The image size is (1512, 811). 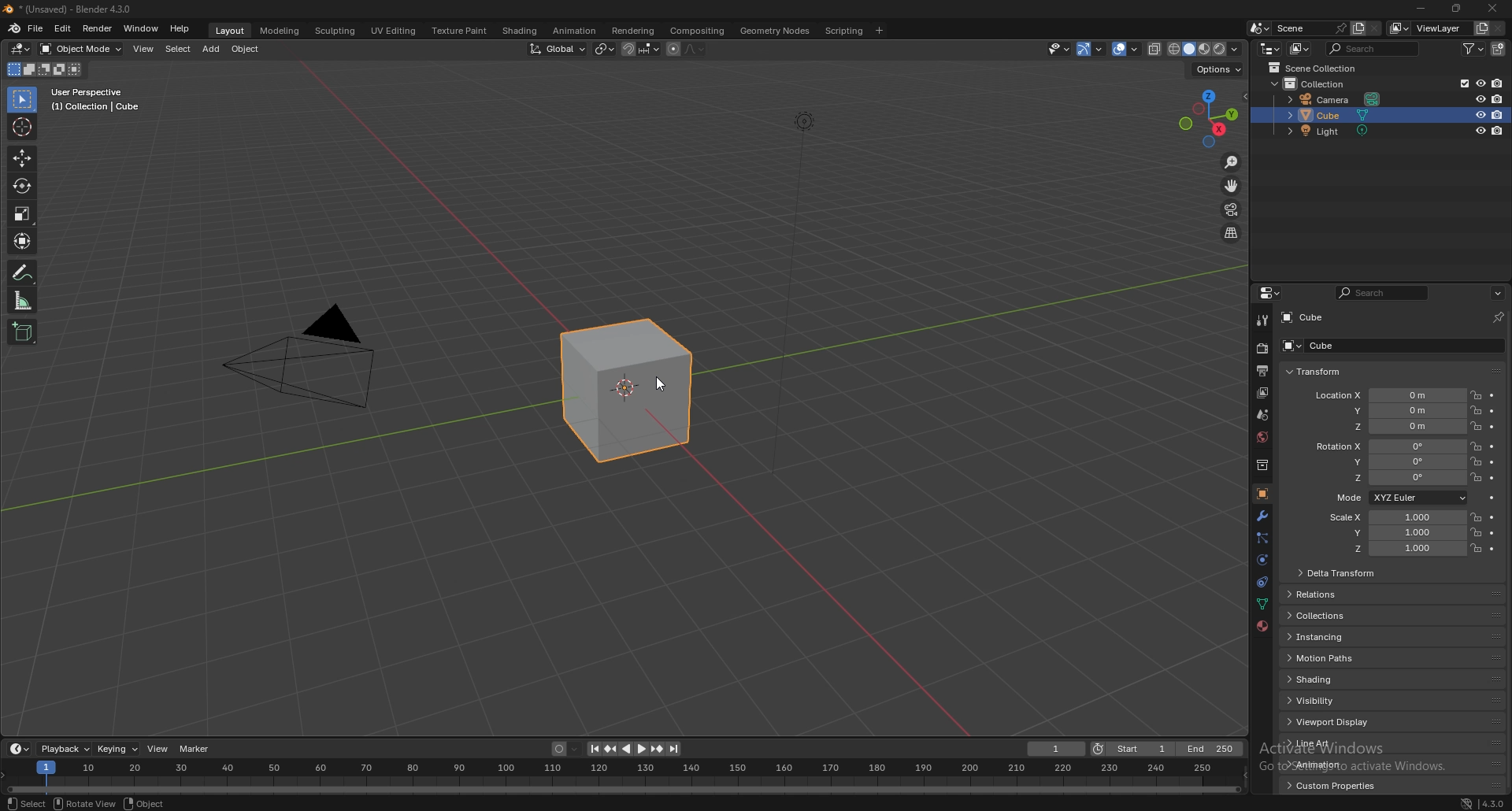 What do you see at coordinates (1313, 28) in the screenshot?
I see `scene` at bounding box center [1313, 28].